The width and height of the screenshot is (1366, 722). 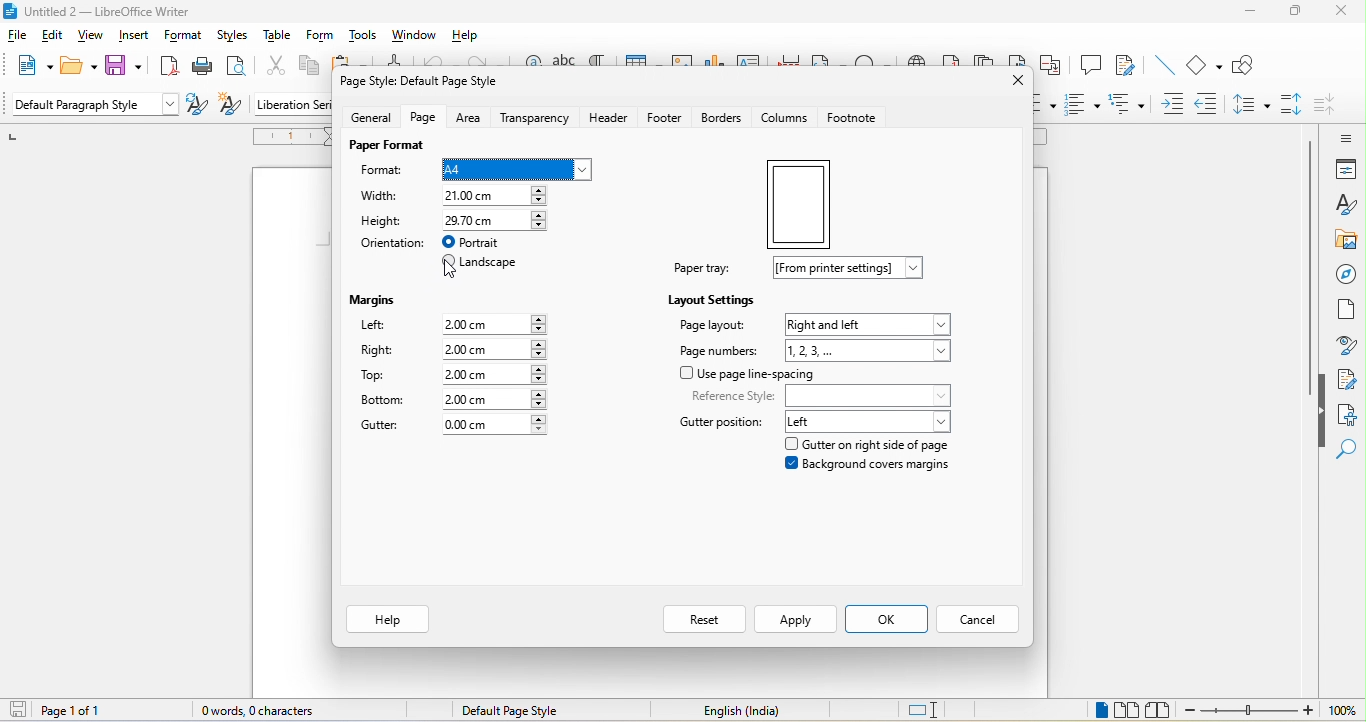 I want to click on a4, so click(x=516, y=168).